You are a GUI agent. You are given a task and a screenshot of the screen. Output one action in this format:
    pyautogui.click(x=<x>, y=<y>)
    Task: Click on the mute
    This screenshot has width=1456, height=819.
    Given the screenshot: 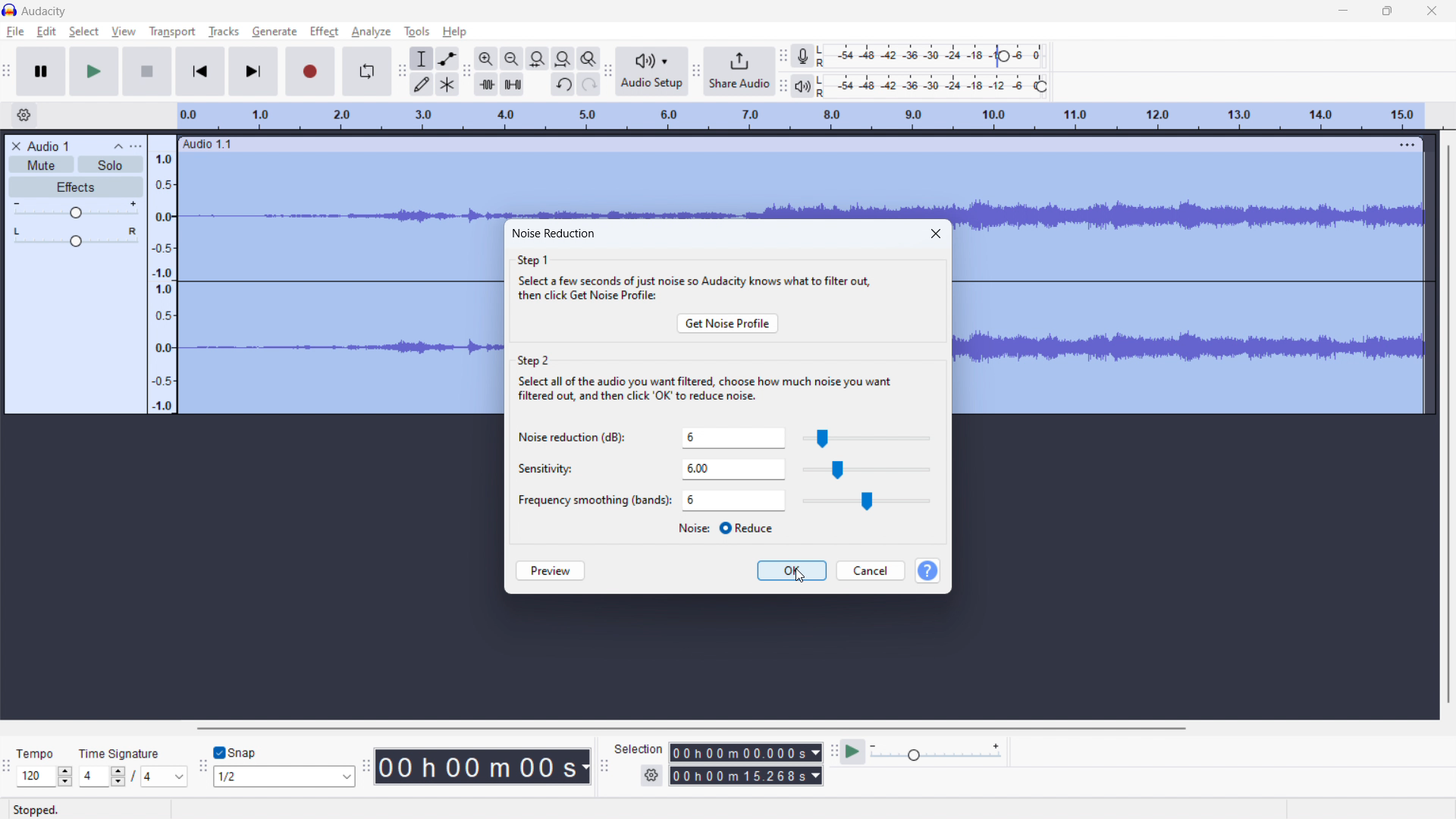 What is the action you would take?
    pyautogui.click(x=41, y=165)
    